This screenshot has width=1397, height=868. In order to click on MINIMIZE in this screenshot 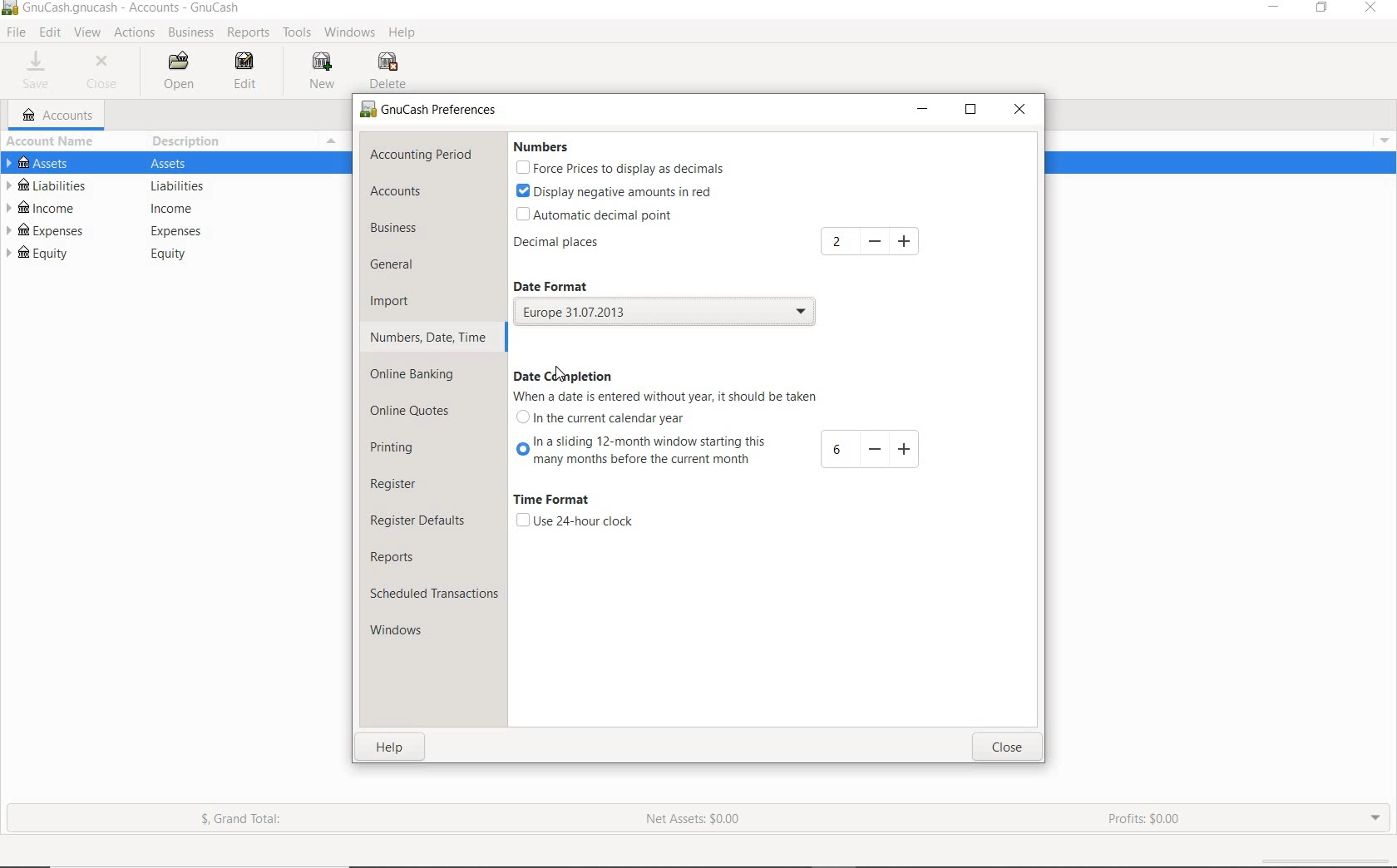, I will do `click(1276, 9)`.